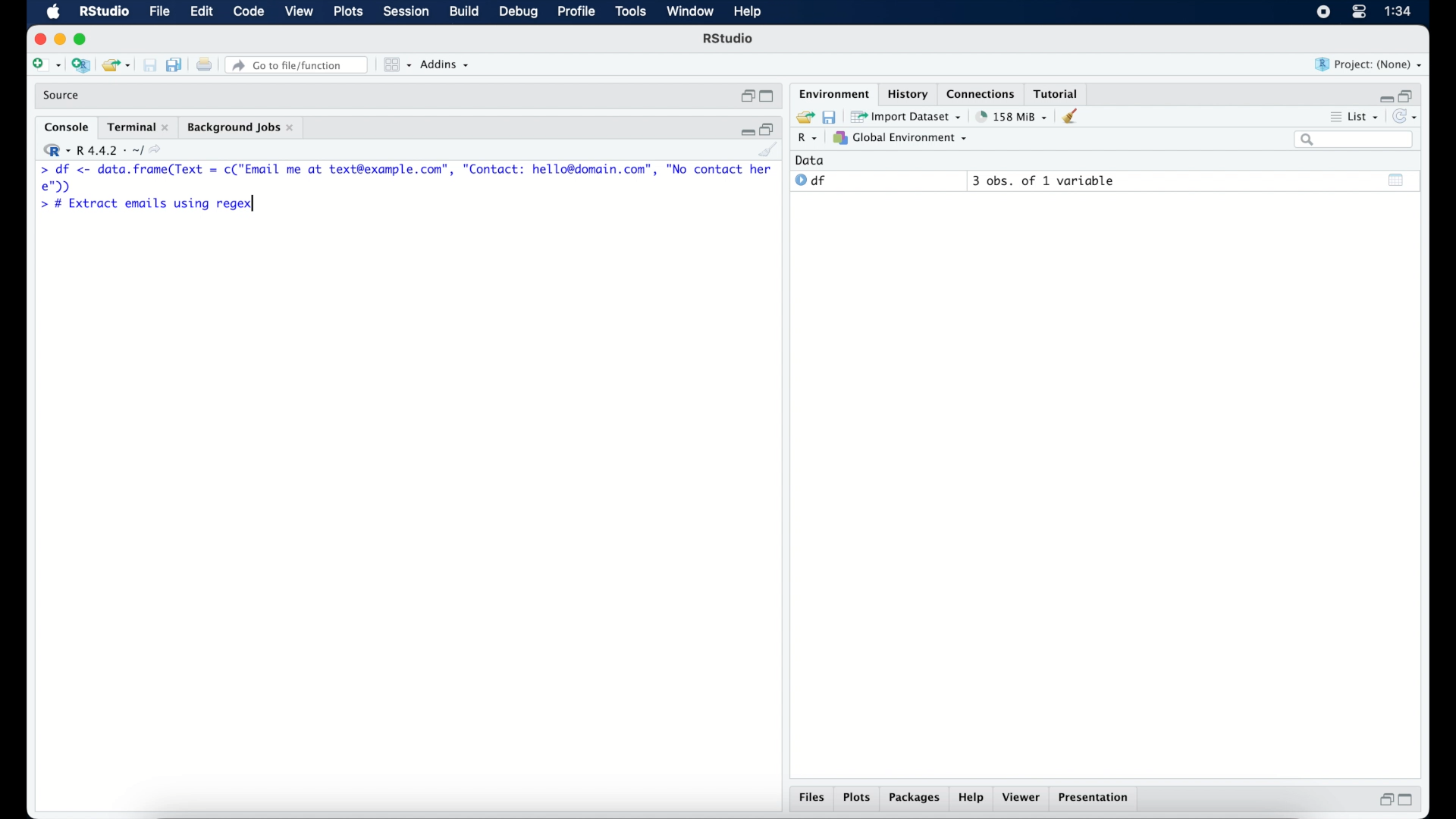 The width and height of the screenshot is (1456, 819). Describe the element at coordinates (52, 12) in the screenshot. I see `macOS` at that location.